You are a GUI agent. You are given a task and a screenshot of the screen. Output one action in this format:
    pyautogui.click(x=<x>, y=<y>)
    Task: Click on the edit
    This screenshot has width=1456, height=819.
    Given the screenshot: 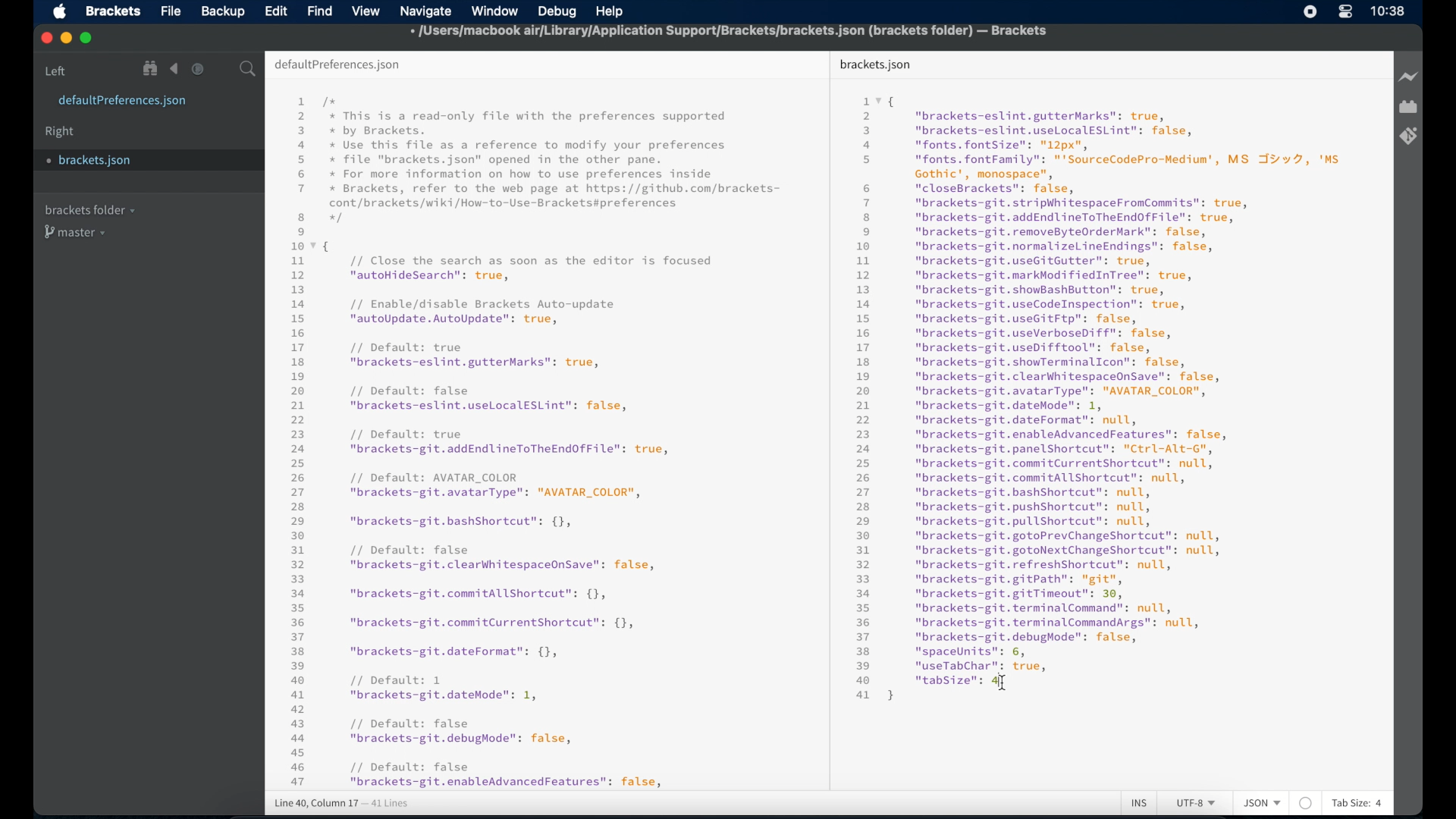 What is the action you would take?
    pyautogui.click(x=275, y=11)
    